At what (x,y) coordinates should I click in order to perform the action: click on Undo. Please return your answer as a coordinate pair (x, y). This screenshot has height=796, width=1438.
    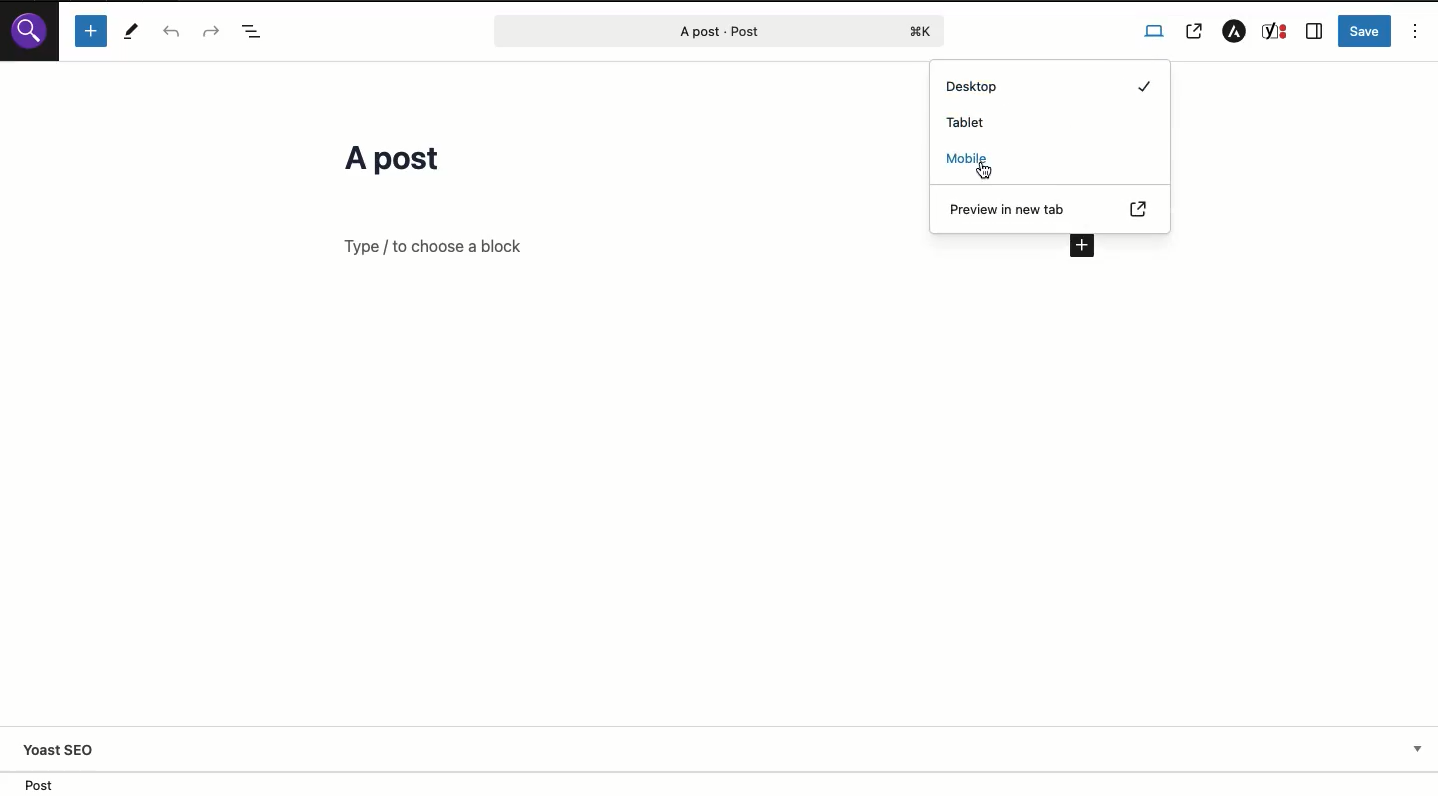
    Looking at the image, I should click on (171, 31).